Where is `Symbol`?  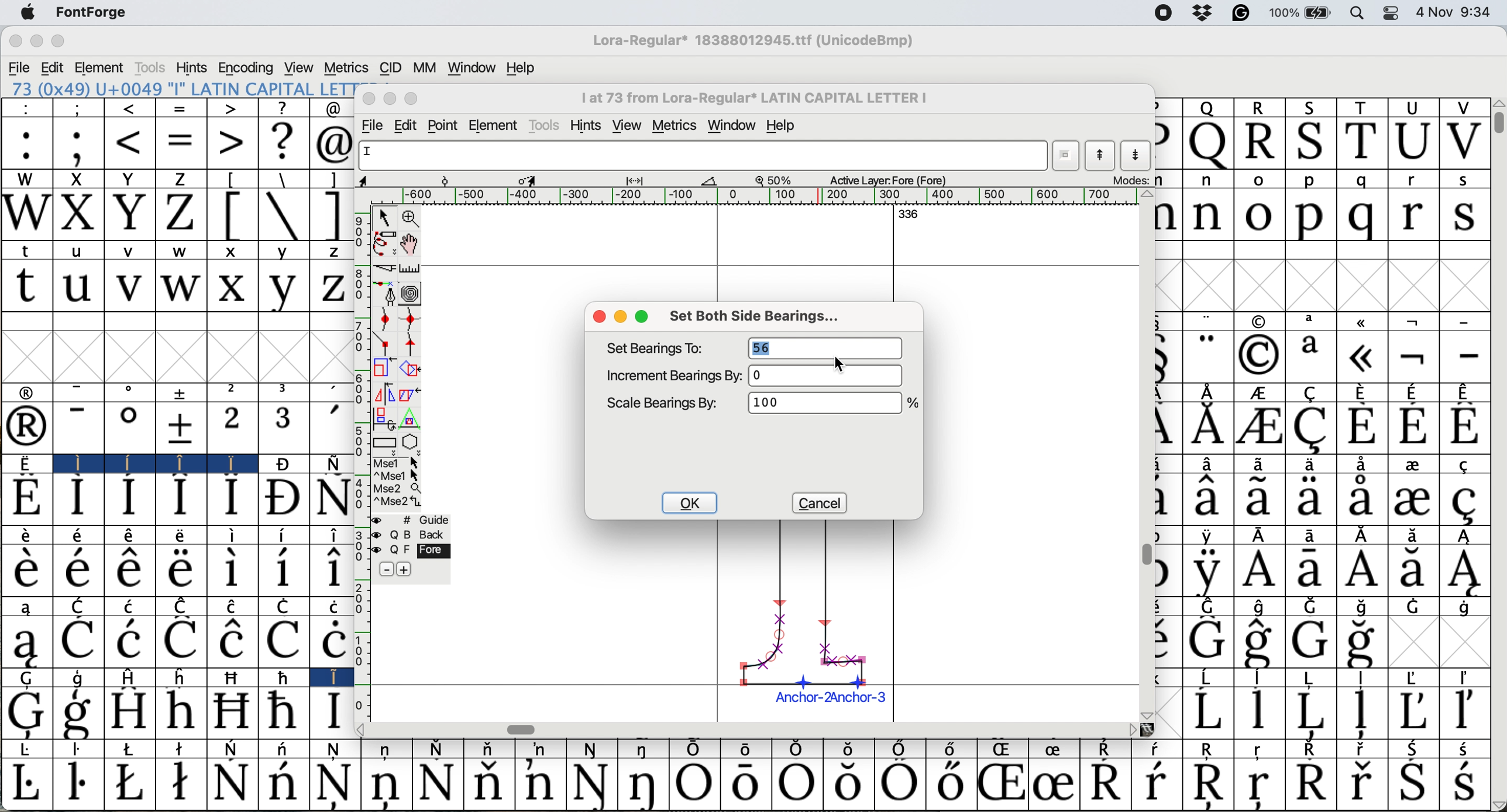 Symbol is located at coordinates (1413, 500).